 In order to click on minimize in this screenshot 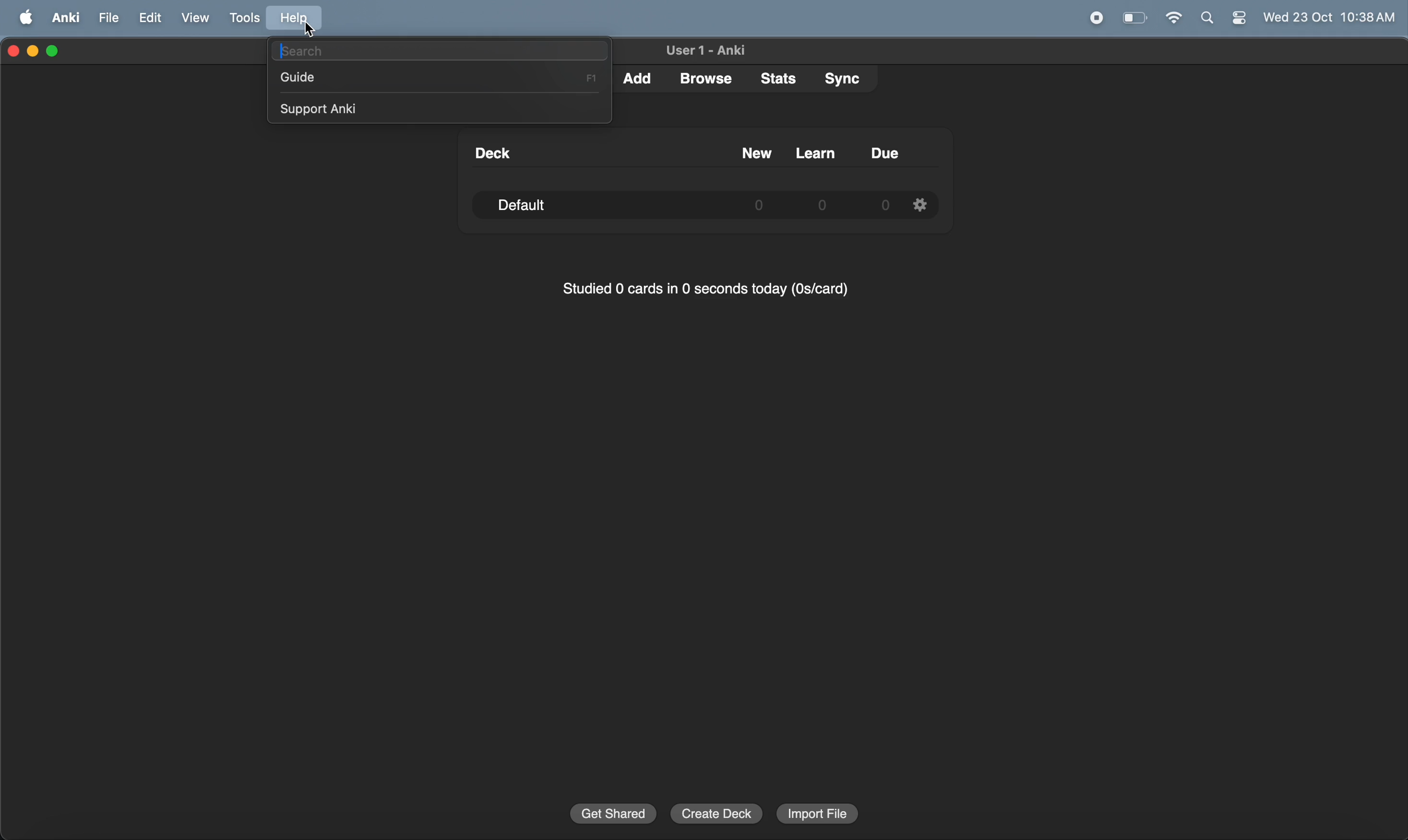, I will do `click(34, 52)`.